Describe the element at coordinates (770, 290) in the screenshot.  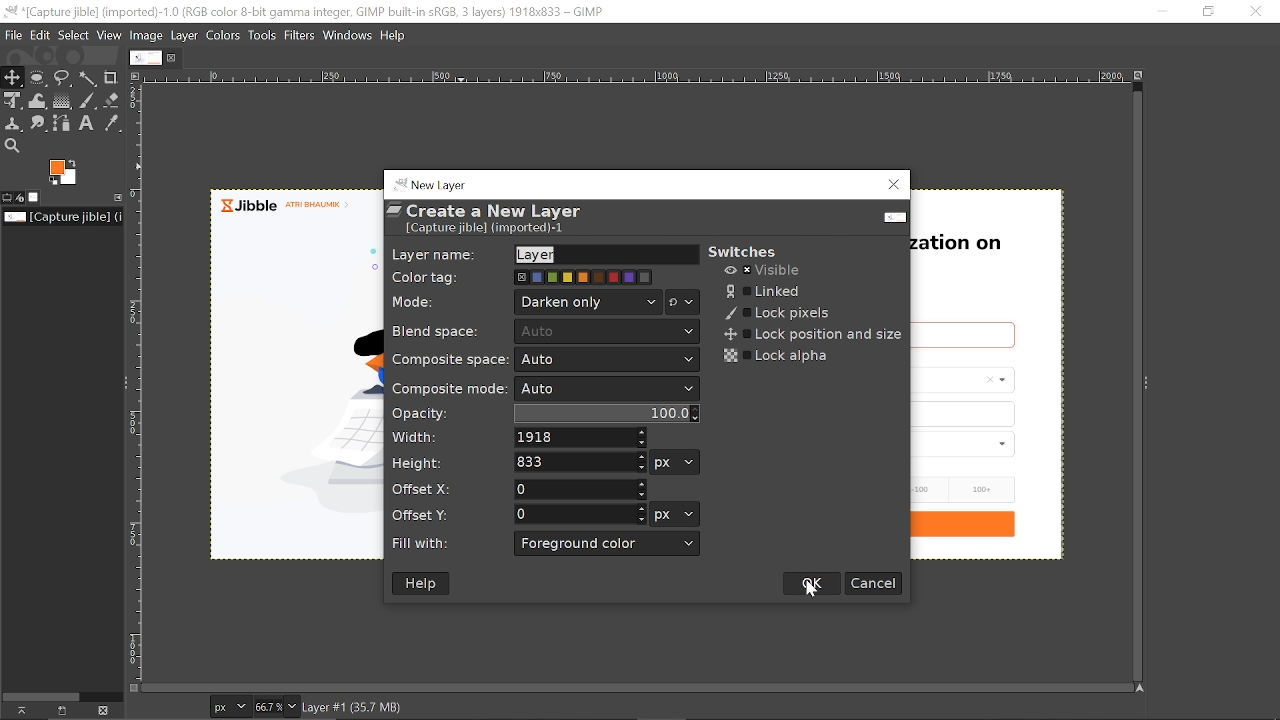
I see `Linked` at that location.